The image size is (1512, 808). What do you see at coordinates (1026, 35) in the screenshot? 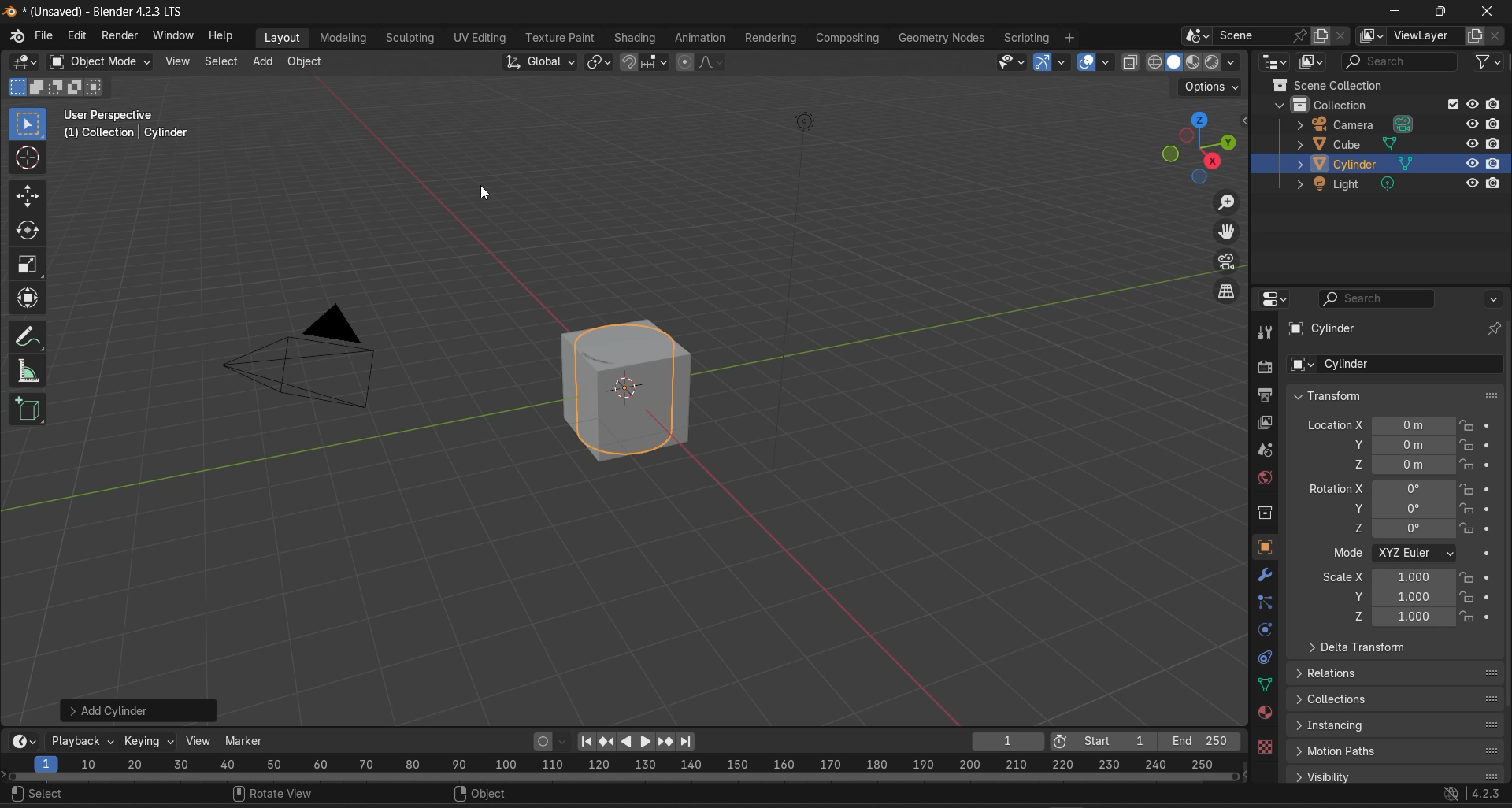
I see `scripting` at bounding box center [1026, 35].